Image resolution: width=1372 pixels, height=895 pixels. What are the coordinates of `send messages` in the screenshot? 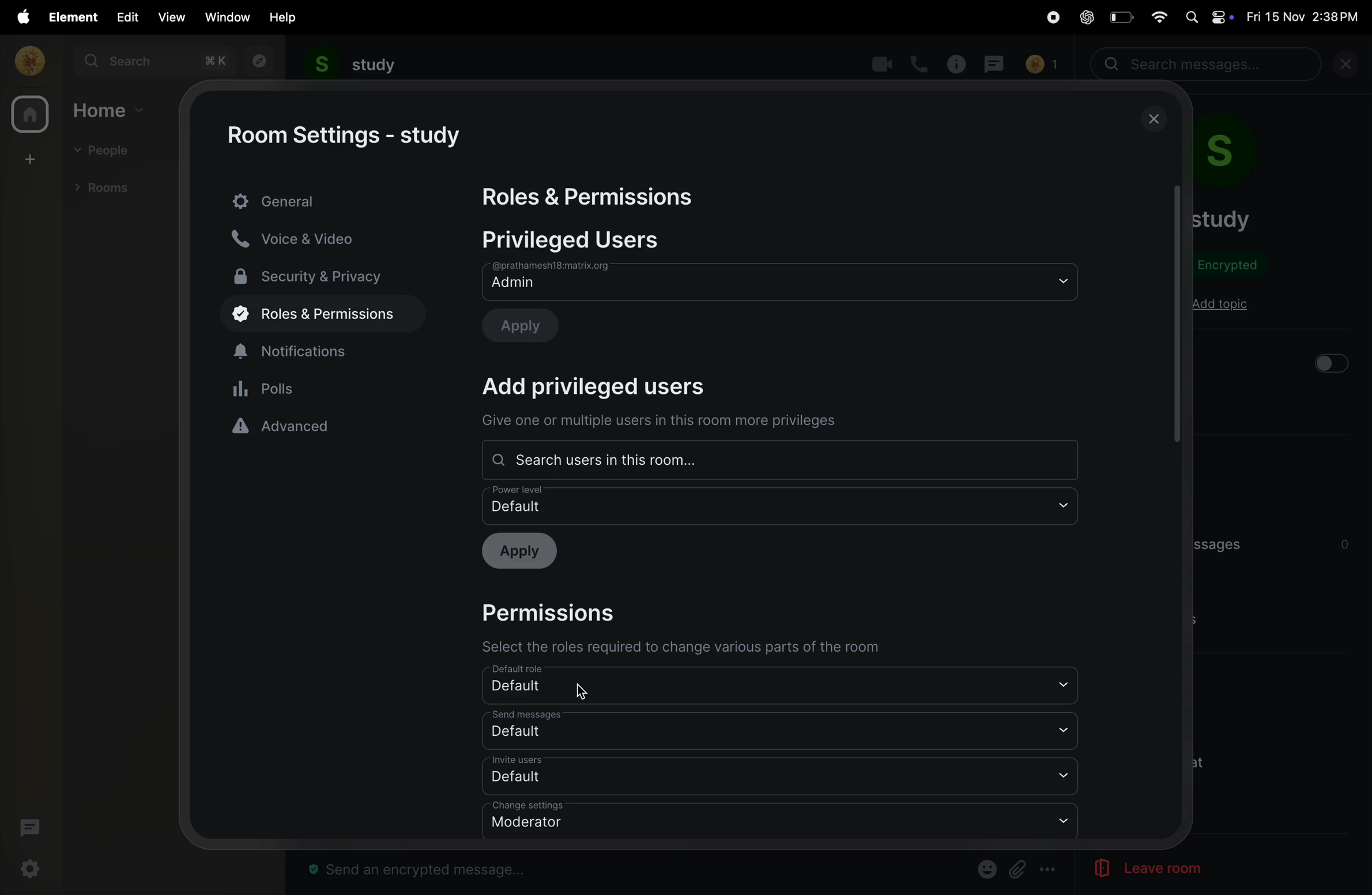 It's located at (782, 729).